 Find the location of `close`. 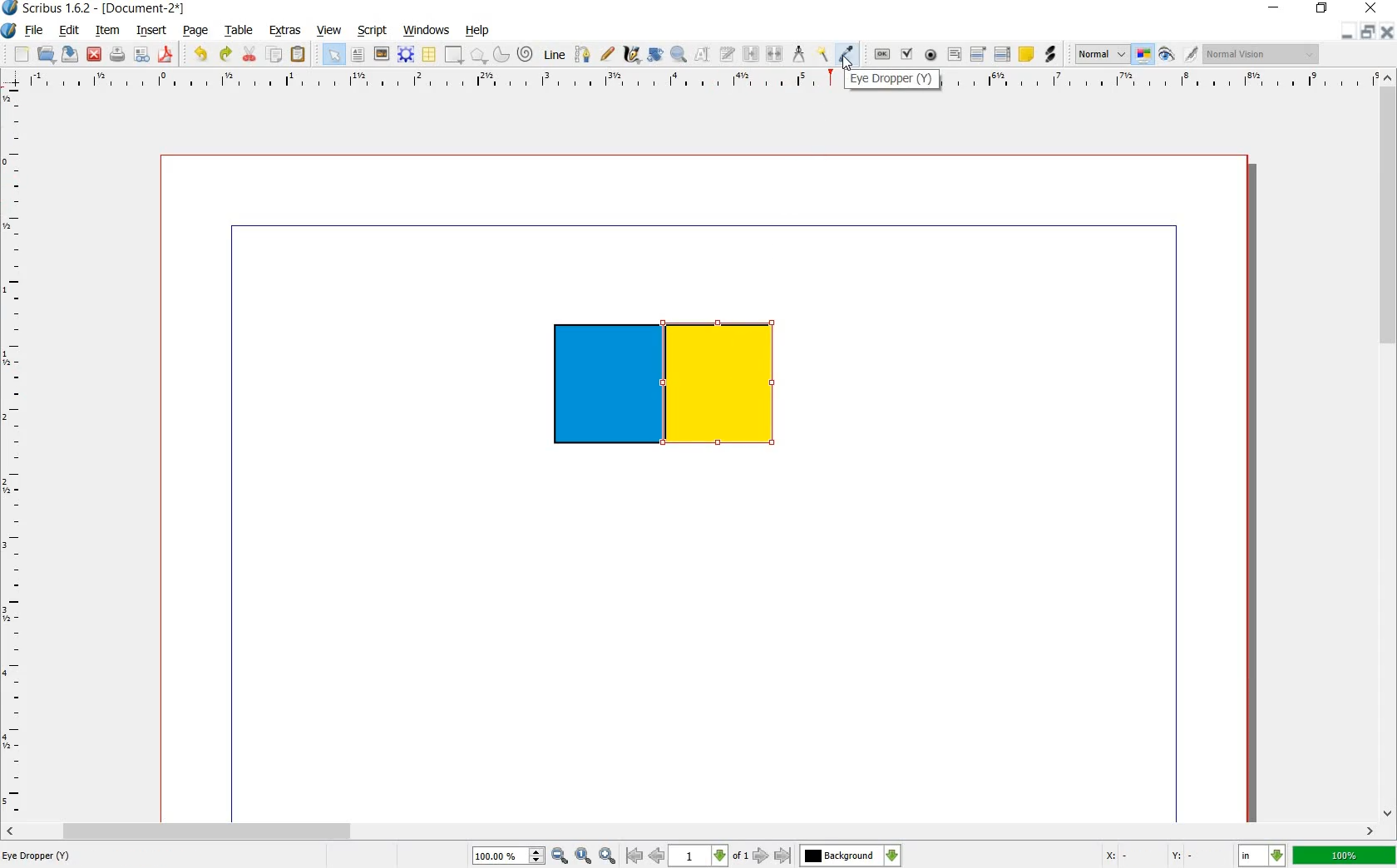

close is located at coordinates (1372, 7).